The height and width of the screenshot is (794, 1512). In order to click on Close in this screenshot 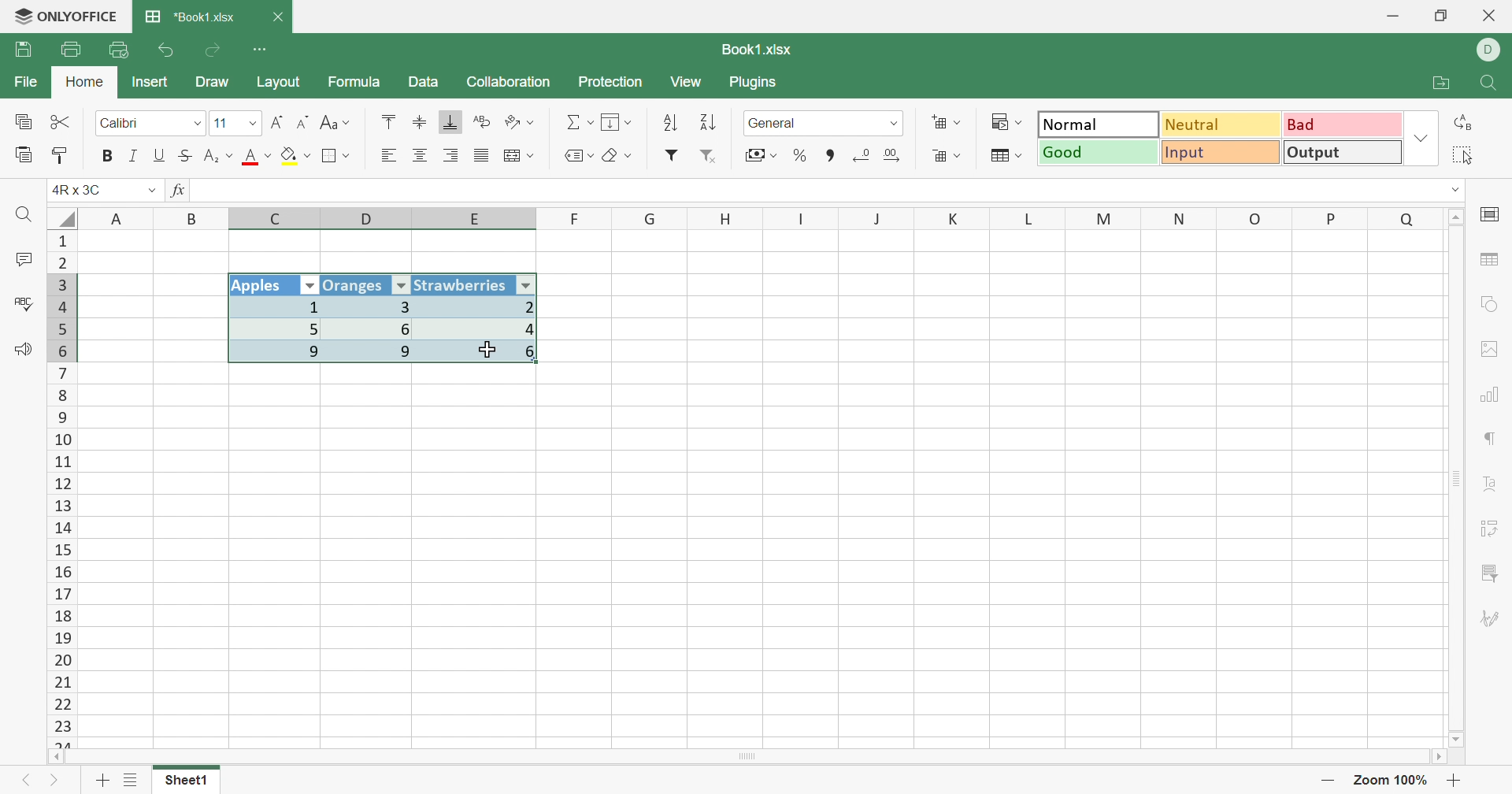, I will do `click(280, 17)`.